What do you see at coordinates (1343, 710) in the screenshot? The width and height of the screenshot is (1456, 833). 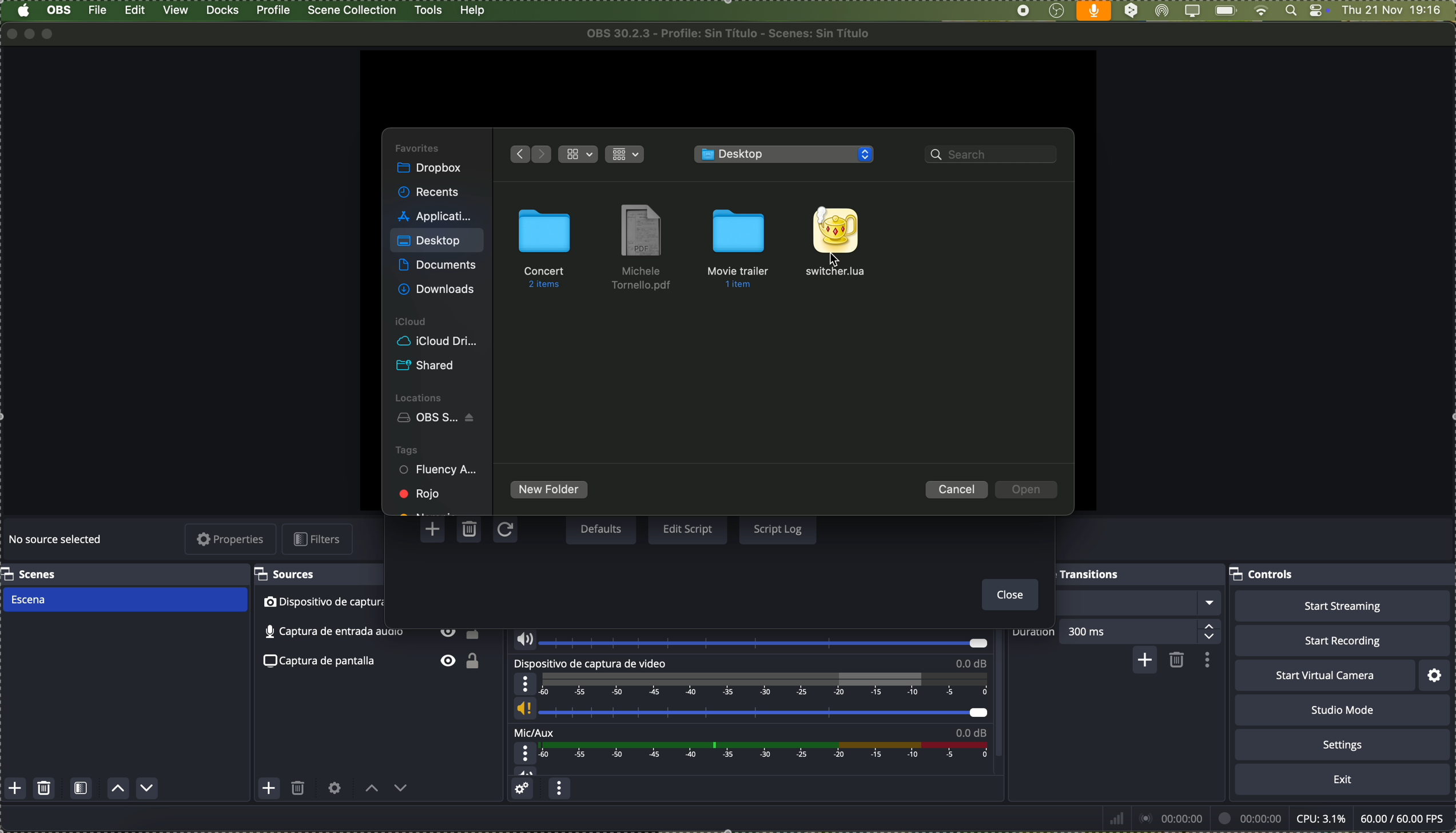 I see `studio mode` at bounding box center [1343, 710].